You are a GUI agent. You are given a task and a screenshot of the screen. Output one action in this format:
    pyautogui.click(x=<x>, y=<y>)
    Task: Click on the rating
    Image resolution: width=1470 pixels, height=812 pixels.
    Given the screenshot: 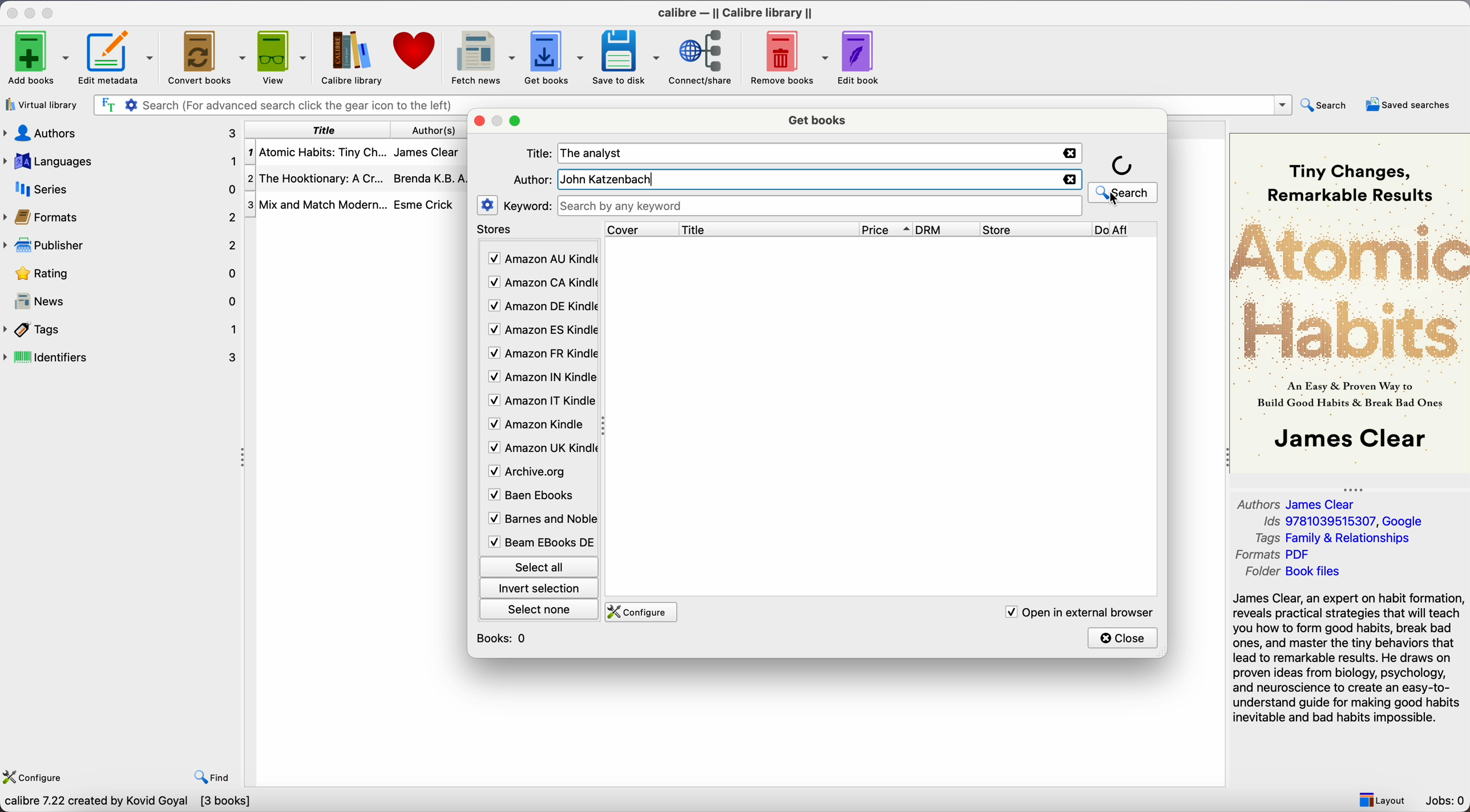 What is the action you would take?
    pyautogui.click(x=123, y=273)
    